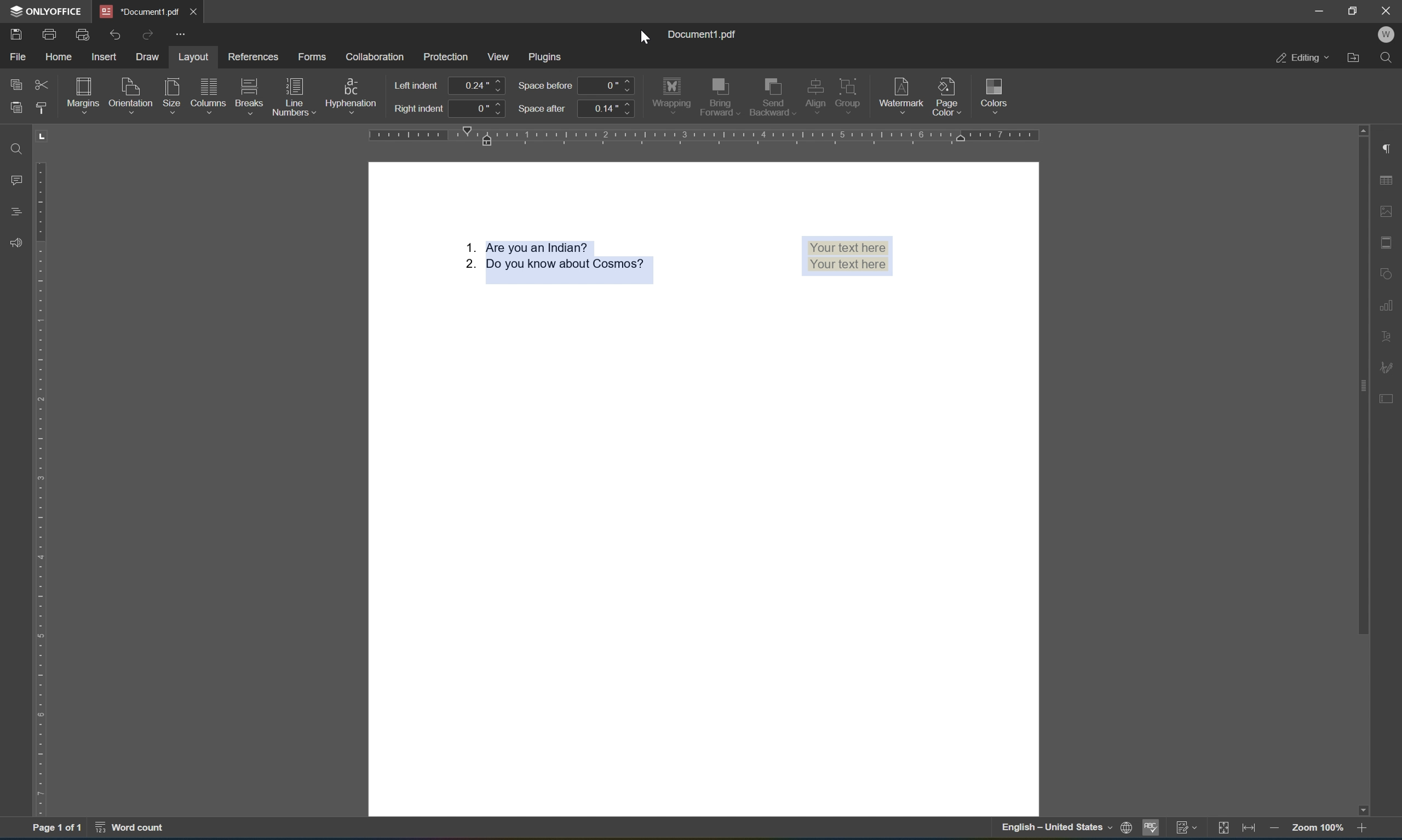  Describe the element at coordinates (18, 84) in the screenshot. I see `copy` at that location.